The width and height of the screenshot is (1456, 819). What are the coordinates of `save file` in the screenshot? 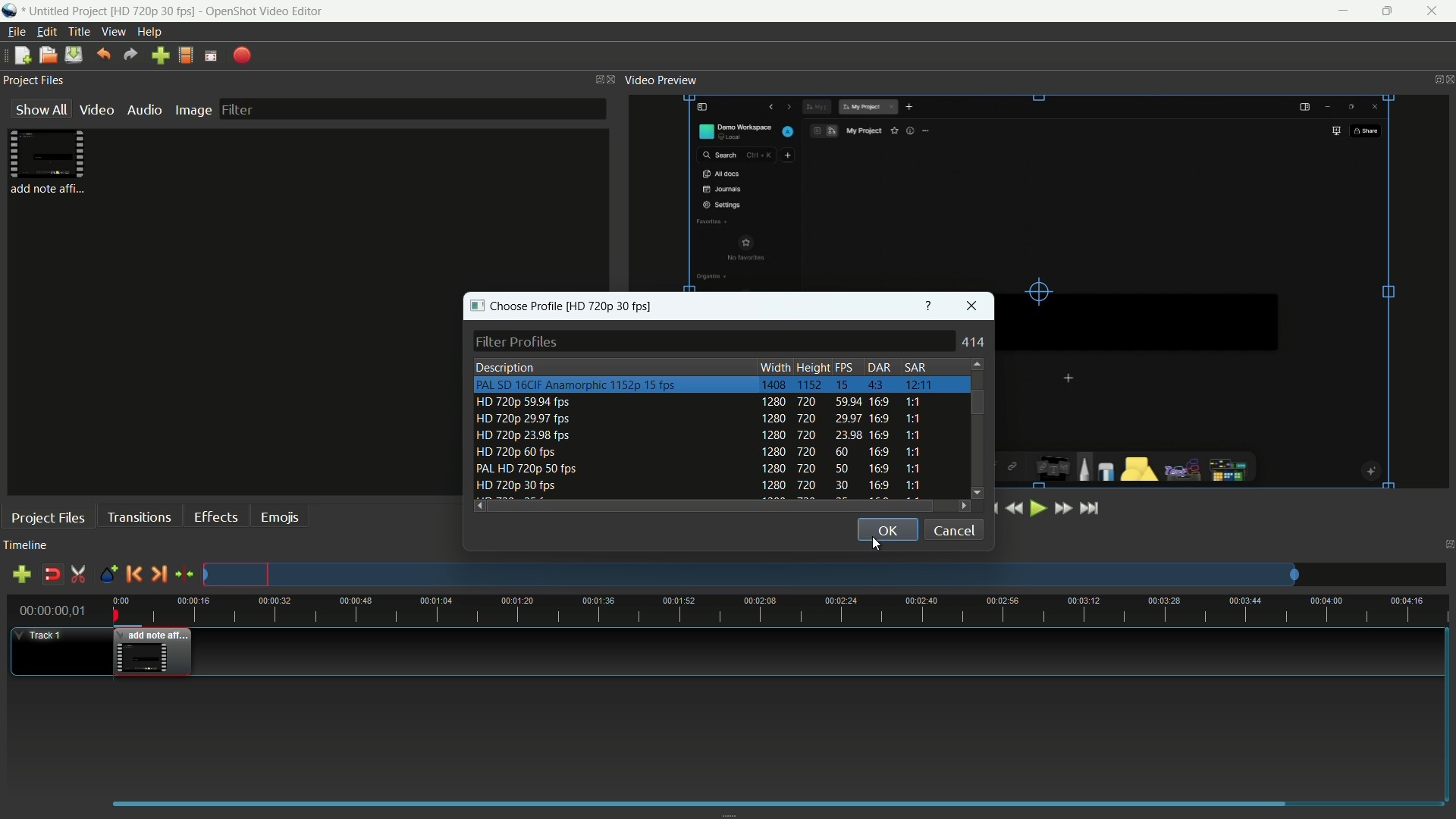 It's located at (74, 55).